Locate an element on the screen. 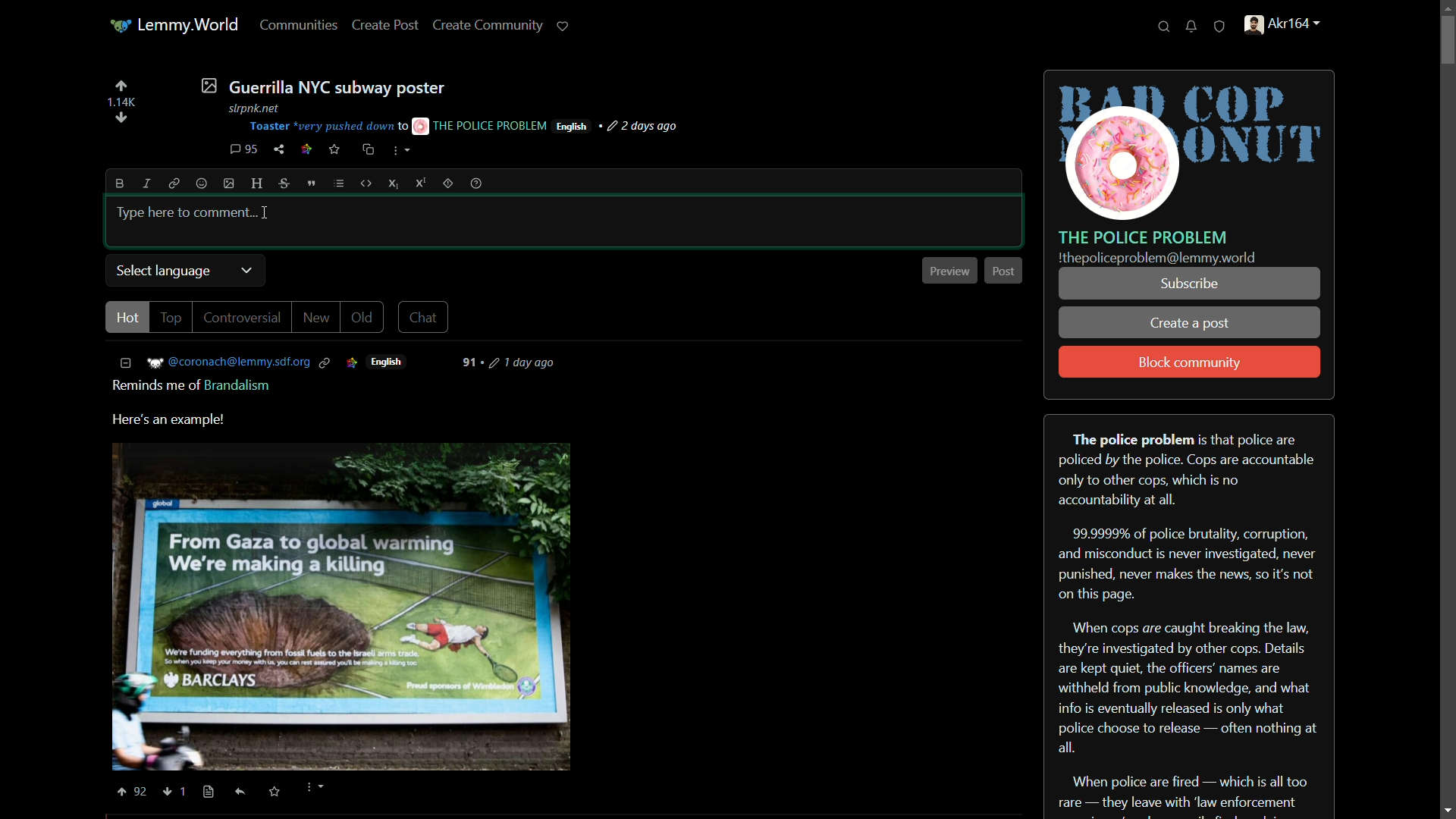 Image resolution: width=1456 pixels, height=819 pixels. scroll up is located at coordinates (1445, 10).